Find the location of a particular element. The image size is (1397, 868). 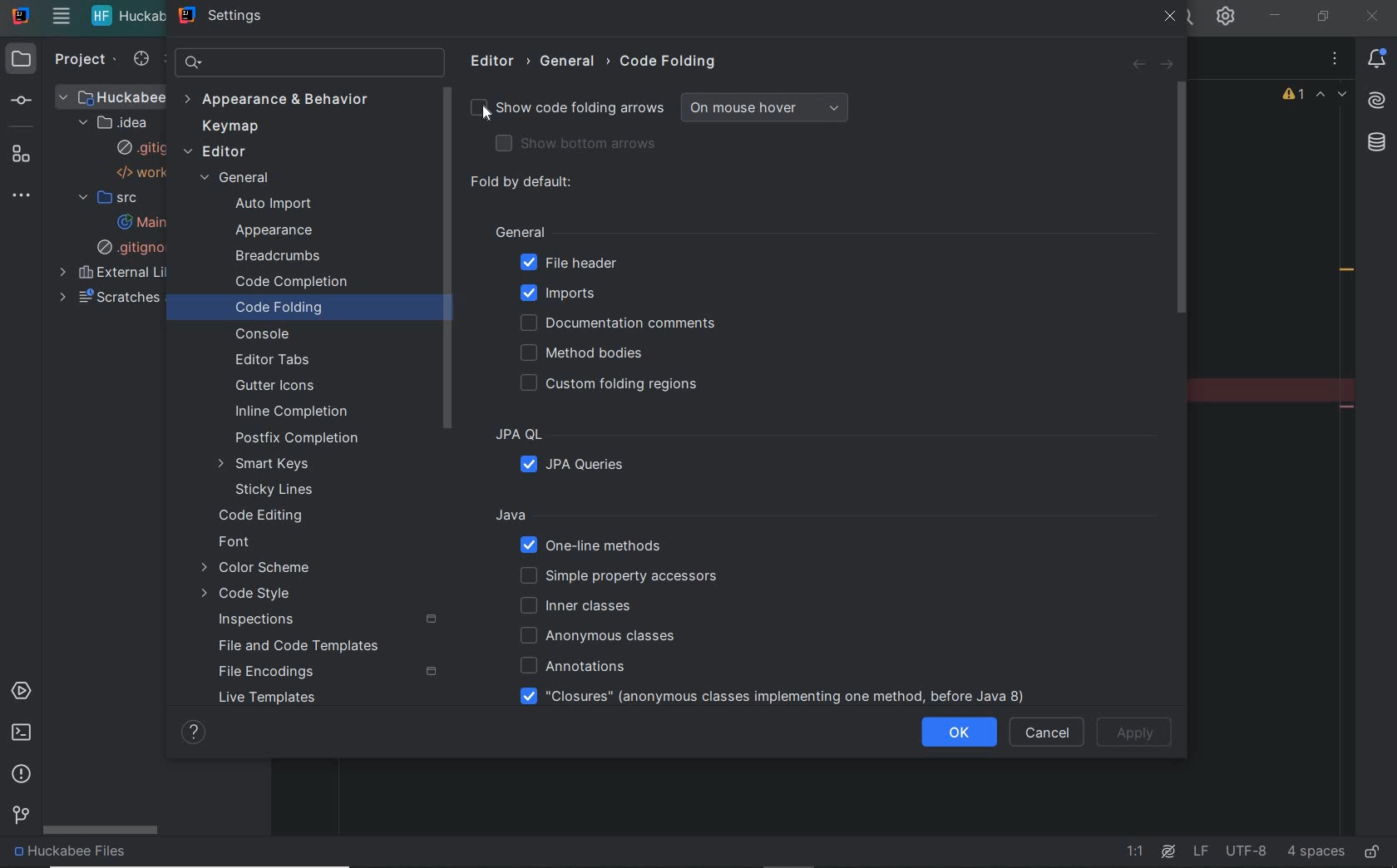

documentation comments is located at coordinates (622, 323).